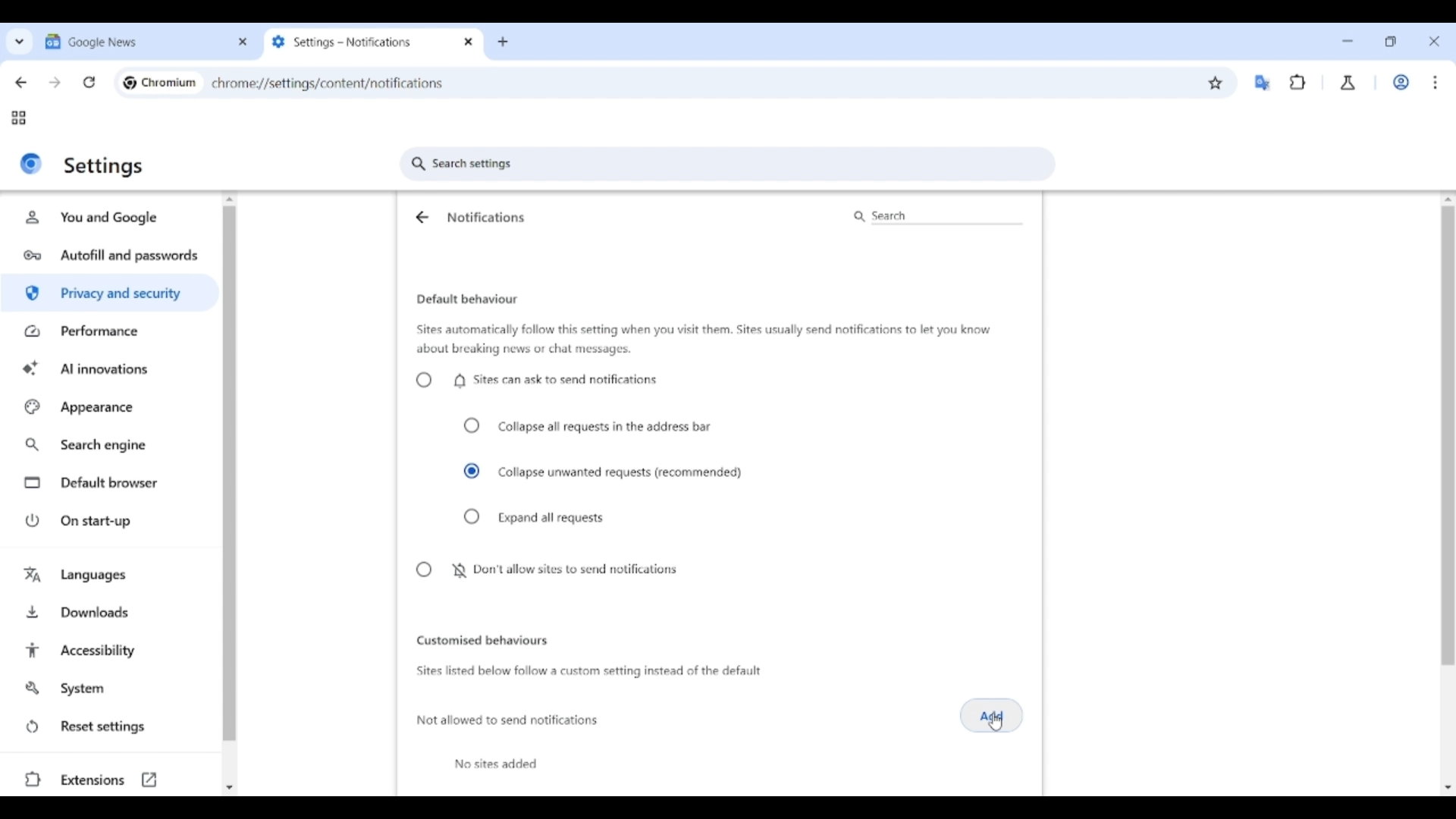  Describe the element at coordinates (55, 83) in the screenshot. I see `Go forward` at that location.